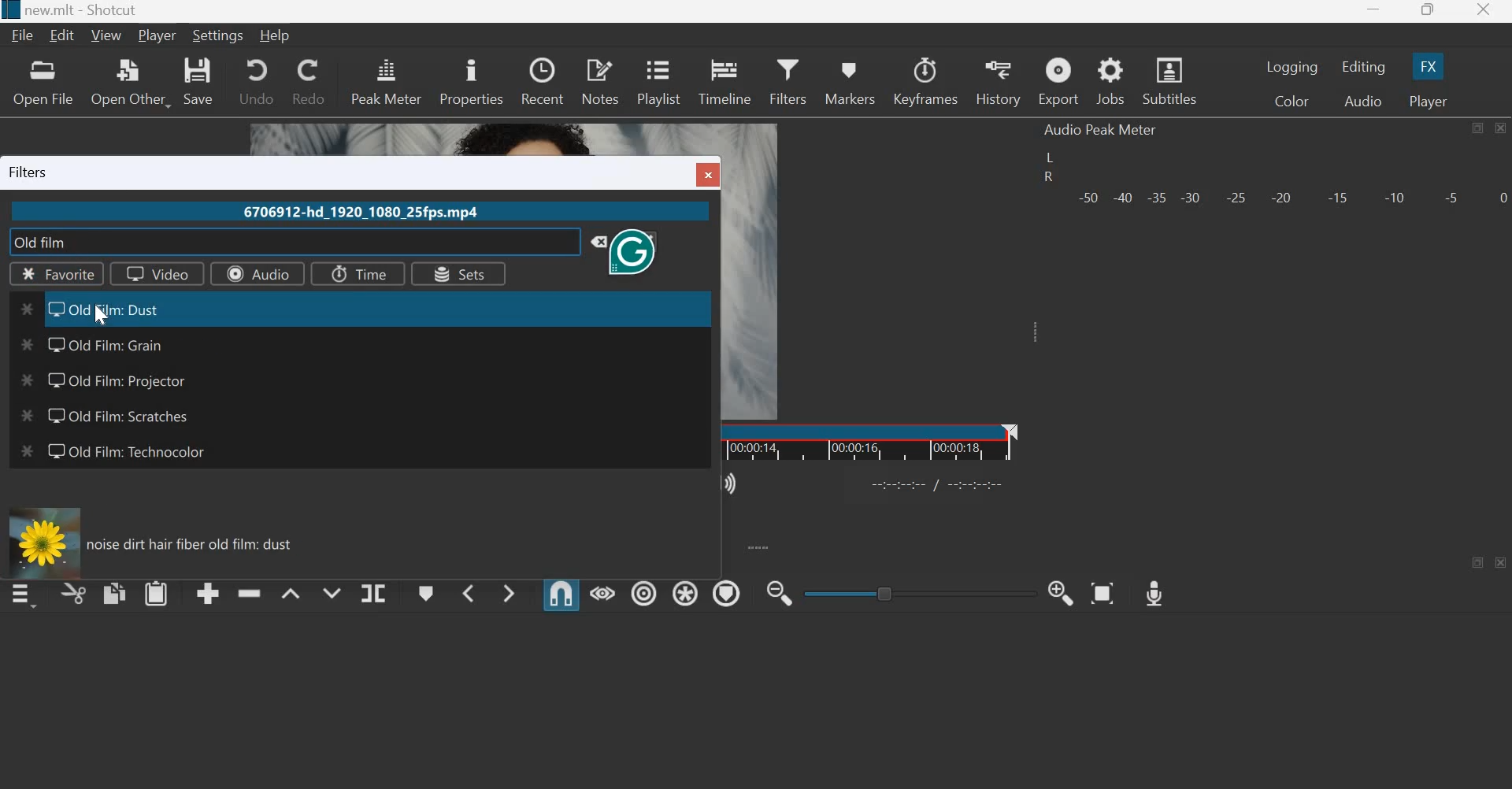 Image resolution: width=1512 pixels, height=789 pixels. I want to click on Color, so click(1295, 102).